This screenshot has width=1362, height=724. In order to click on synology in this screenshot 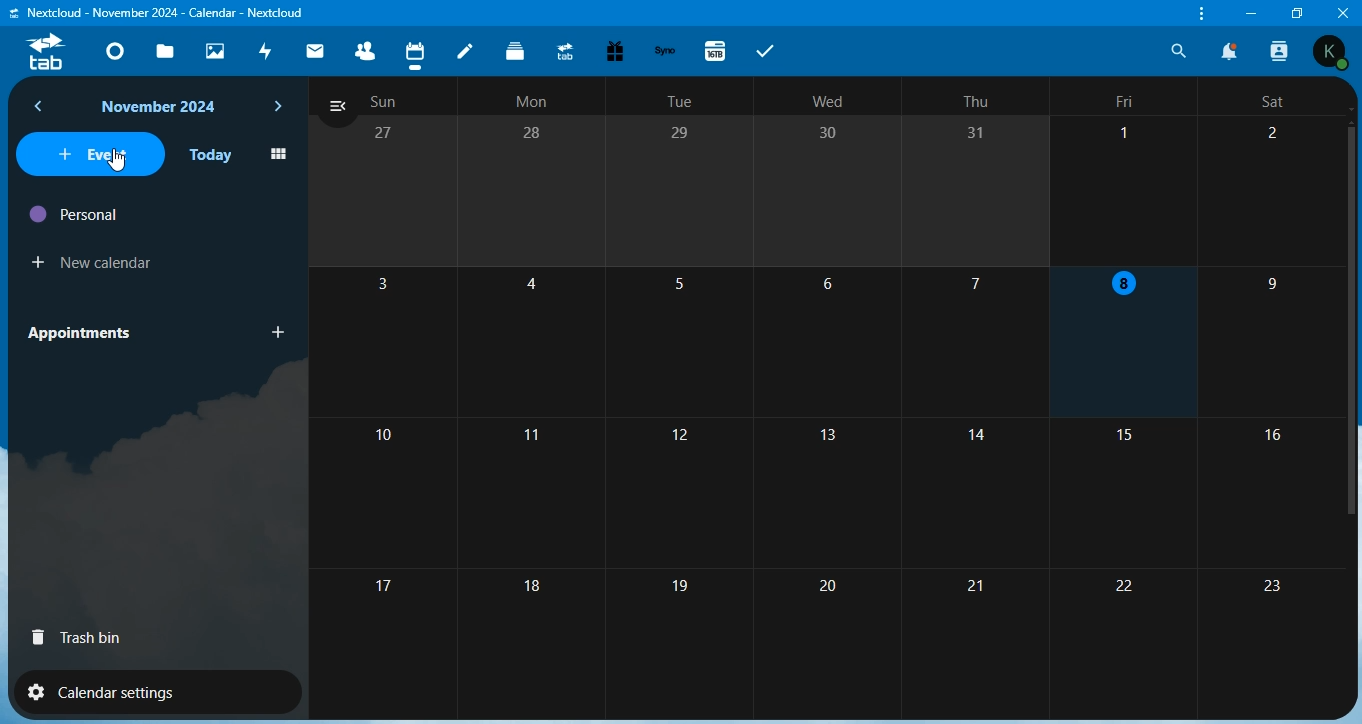, I will do `click(664, 51)`.